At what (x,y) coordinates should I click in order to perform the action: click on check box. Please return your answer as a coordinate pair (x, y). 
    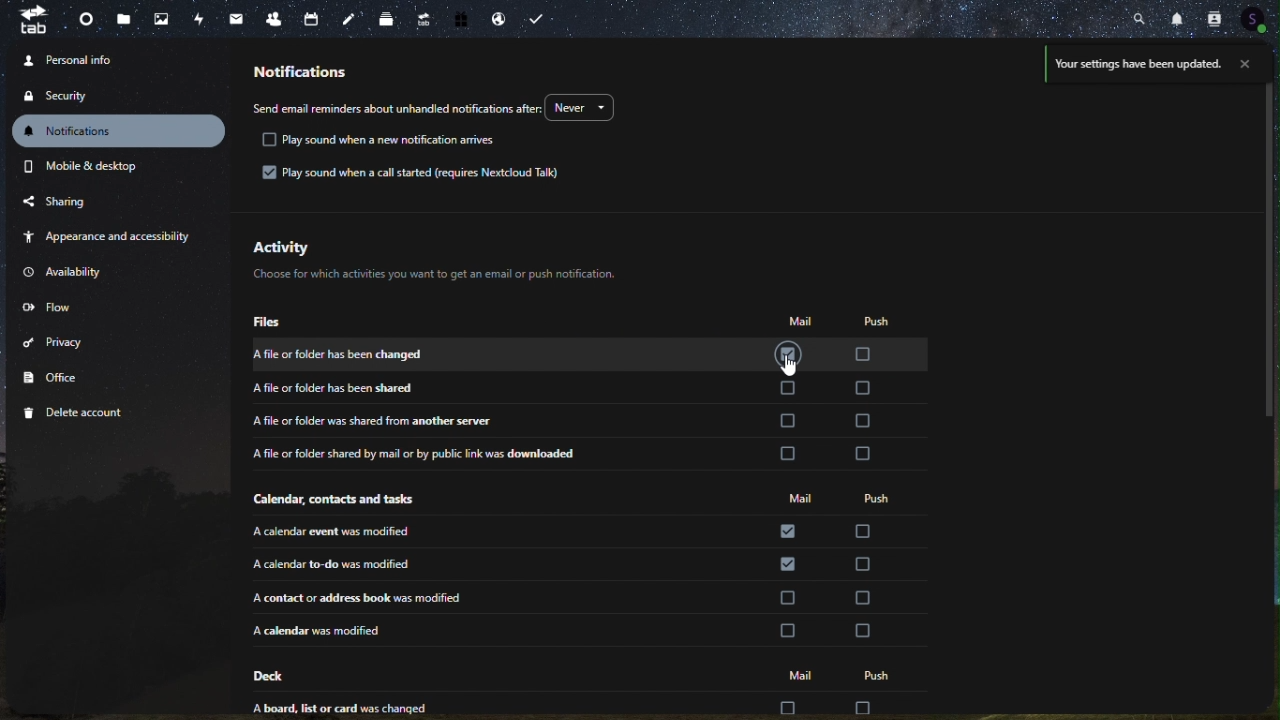
    Looking at the image, I should click on (863, 594).